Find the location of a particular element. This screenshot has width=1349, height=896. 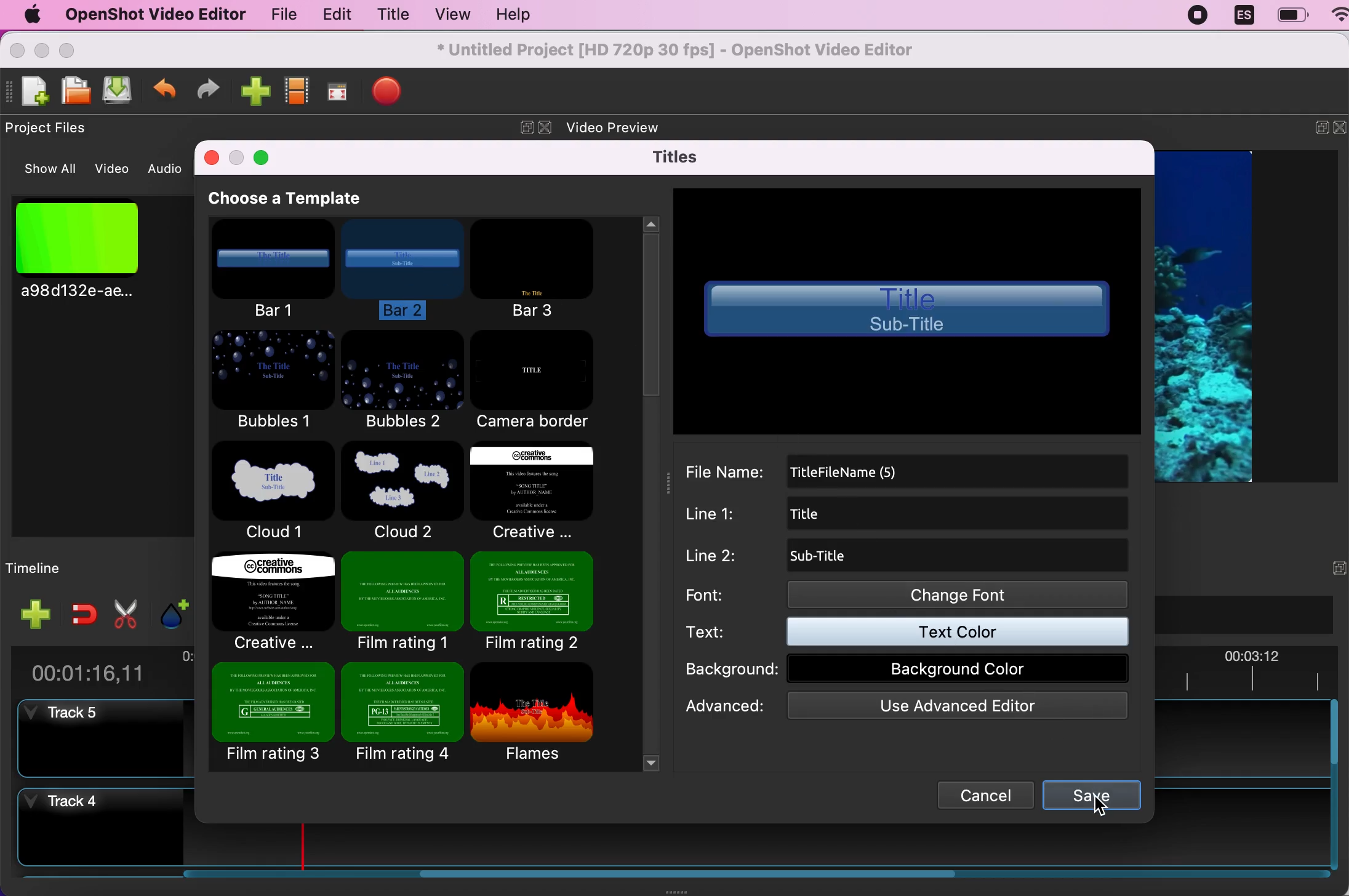

audio is located at coordinates (166, 169).